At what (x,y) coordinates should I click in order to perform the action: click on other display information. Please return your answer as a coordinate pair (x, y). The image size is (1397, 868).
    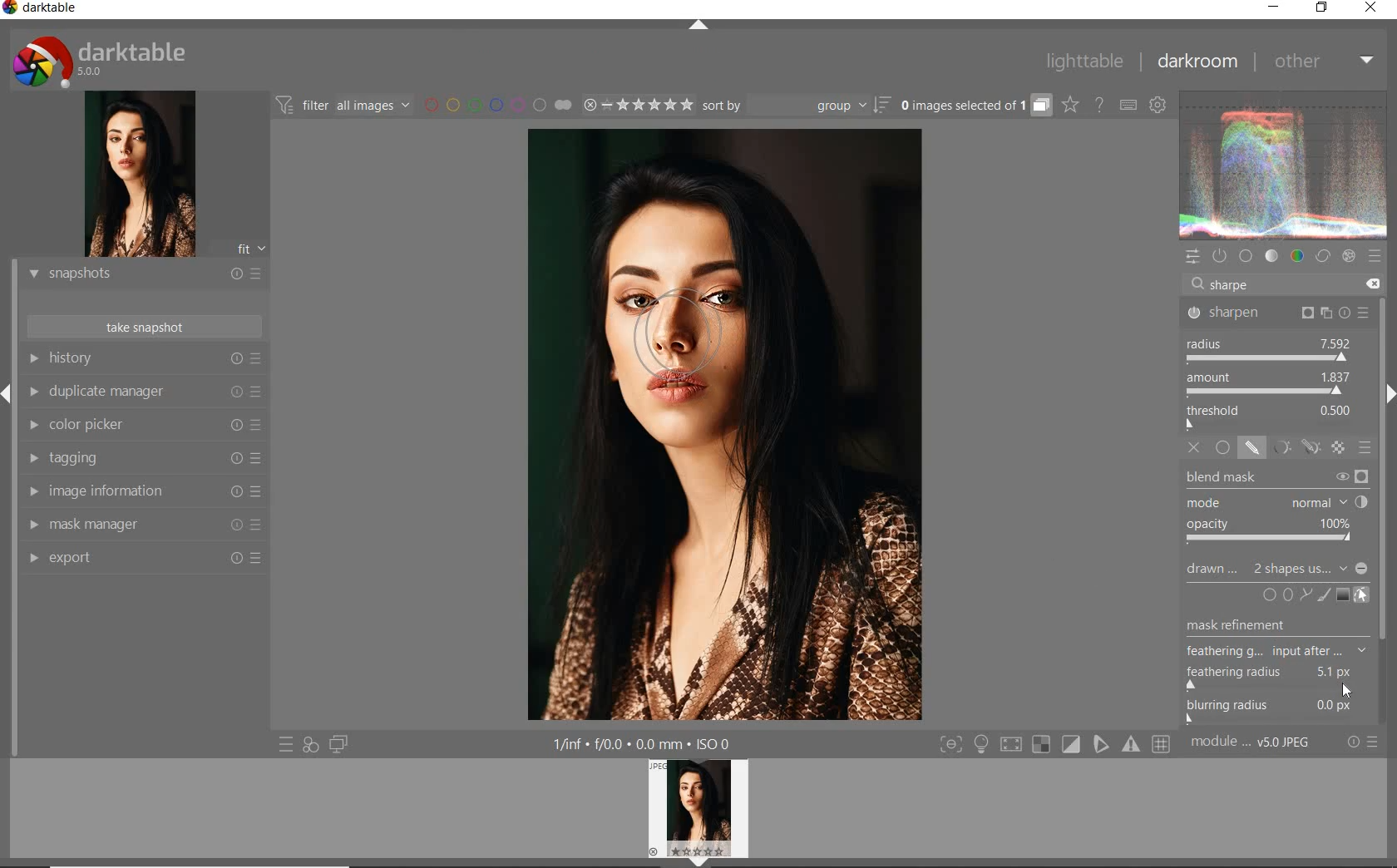
    Looking at the image, I should click on (646, 745).